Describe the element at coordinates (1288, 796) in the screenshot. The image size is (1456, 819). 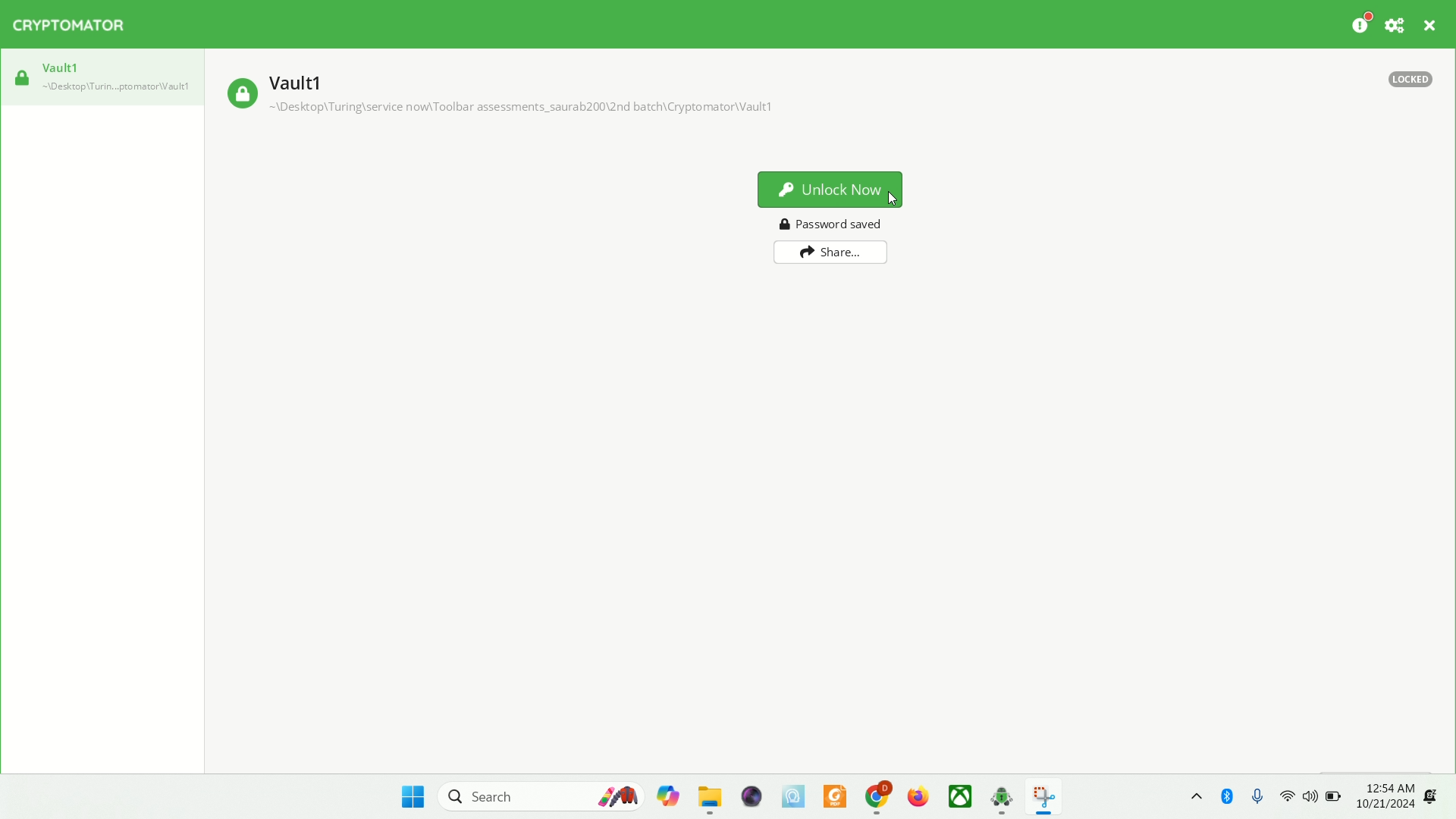
I see `wifi` at that location.